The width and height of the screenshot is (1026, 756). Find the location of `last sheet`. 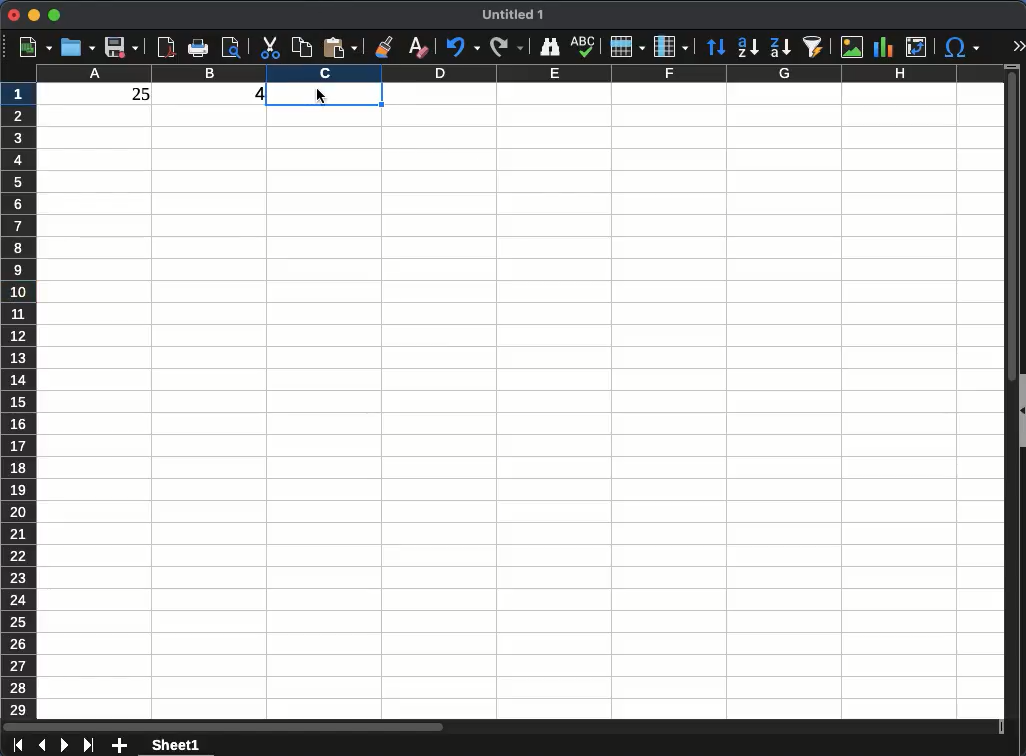

last sheet is located at coordinates (90, 745).